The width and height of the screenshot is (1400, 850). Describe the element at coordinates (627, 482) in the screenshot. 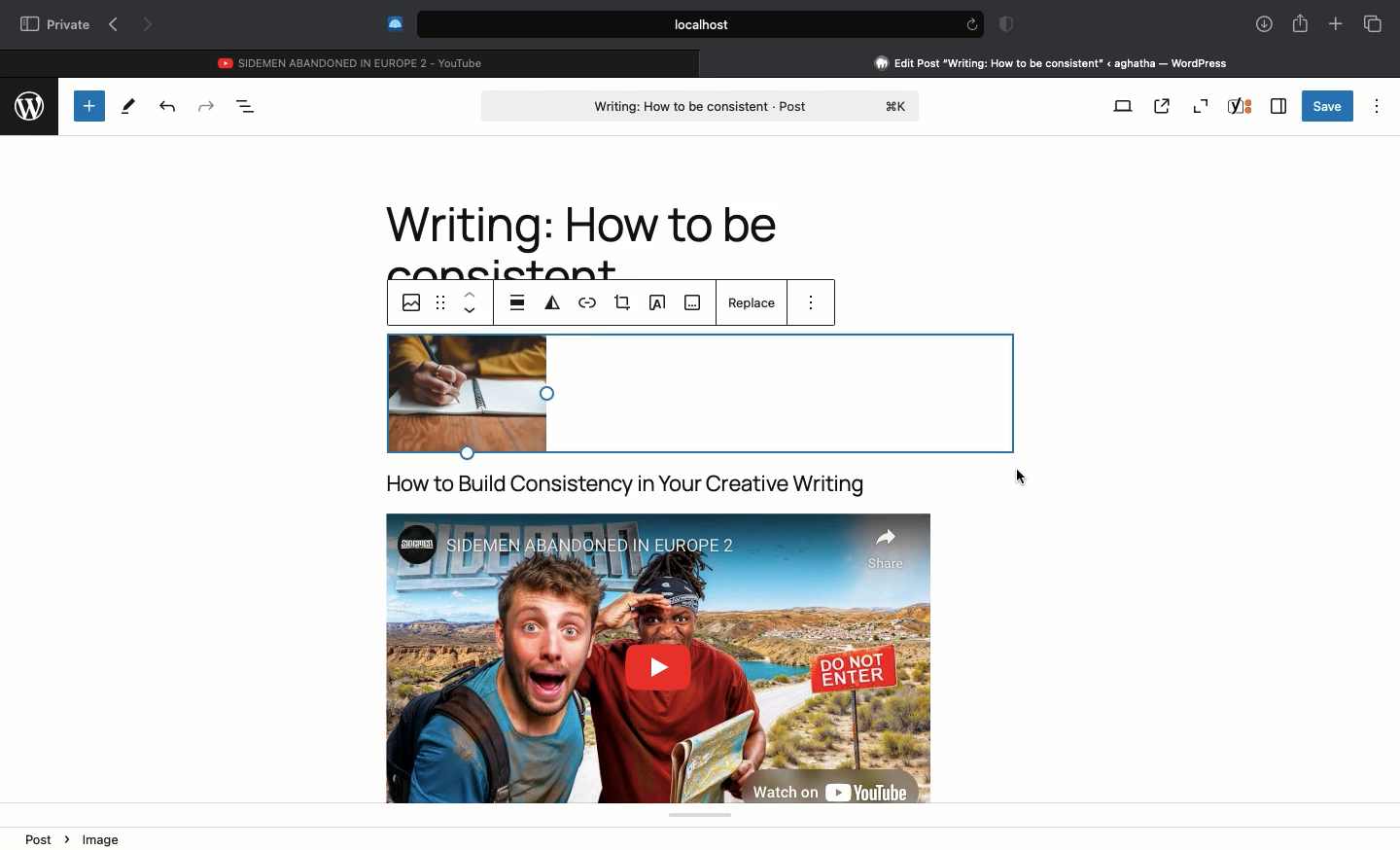

I see `title` at that location.